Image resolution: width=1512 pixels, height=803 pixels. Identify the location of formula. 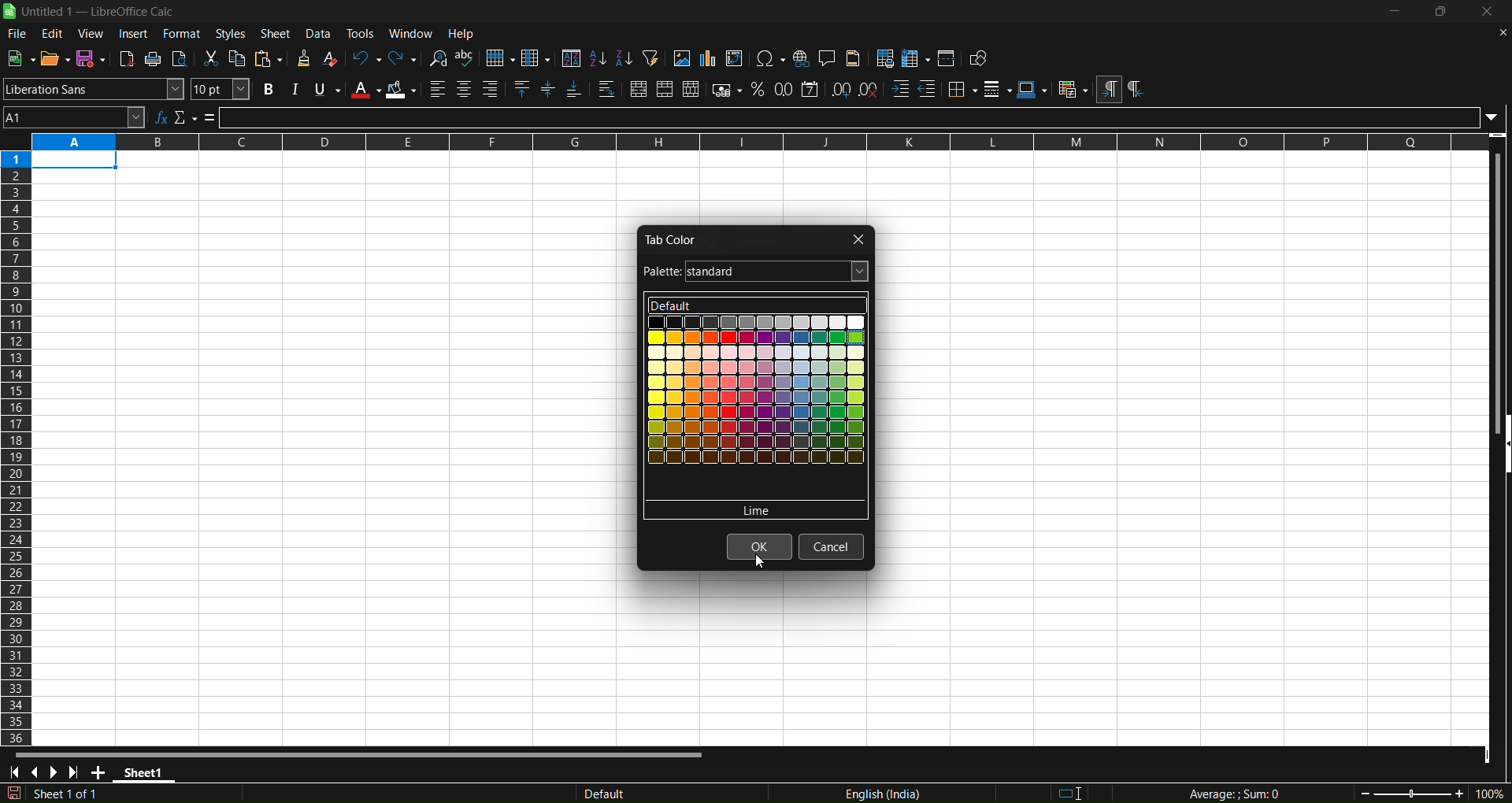
(1220, 794).